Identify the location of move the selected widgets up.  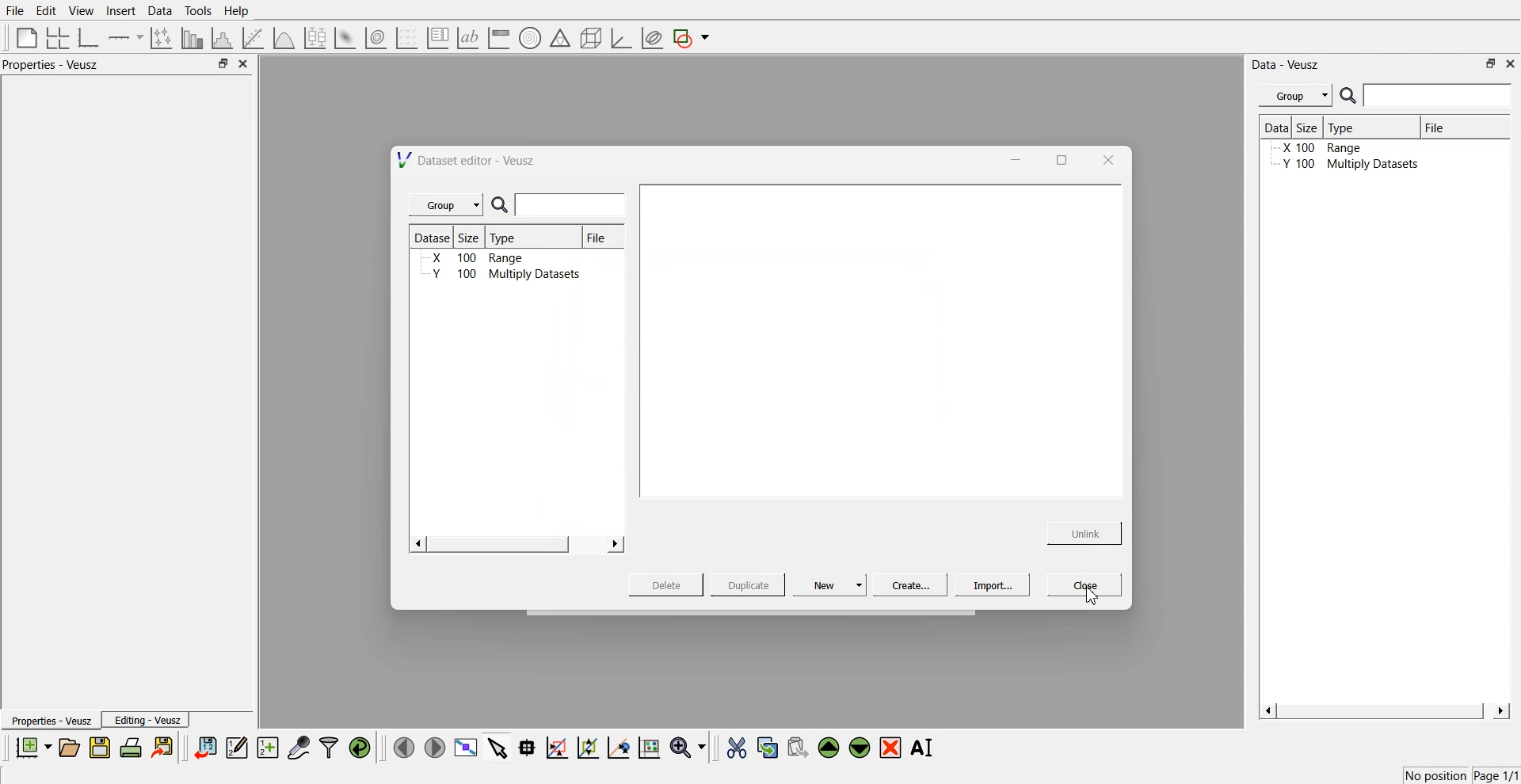
(830, 748).